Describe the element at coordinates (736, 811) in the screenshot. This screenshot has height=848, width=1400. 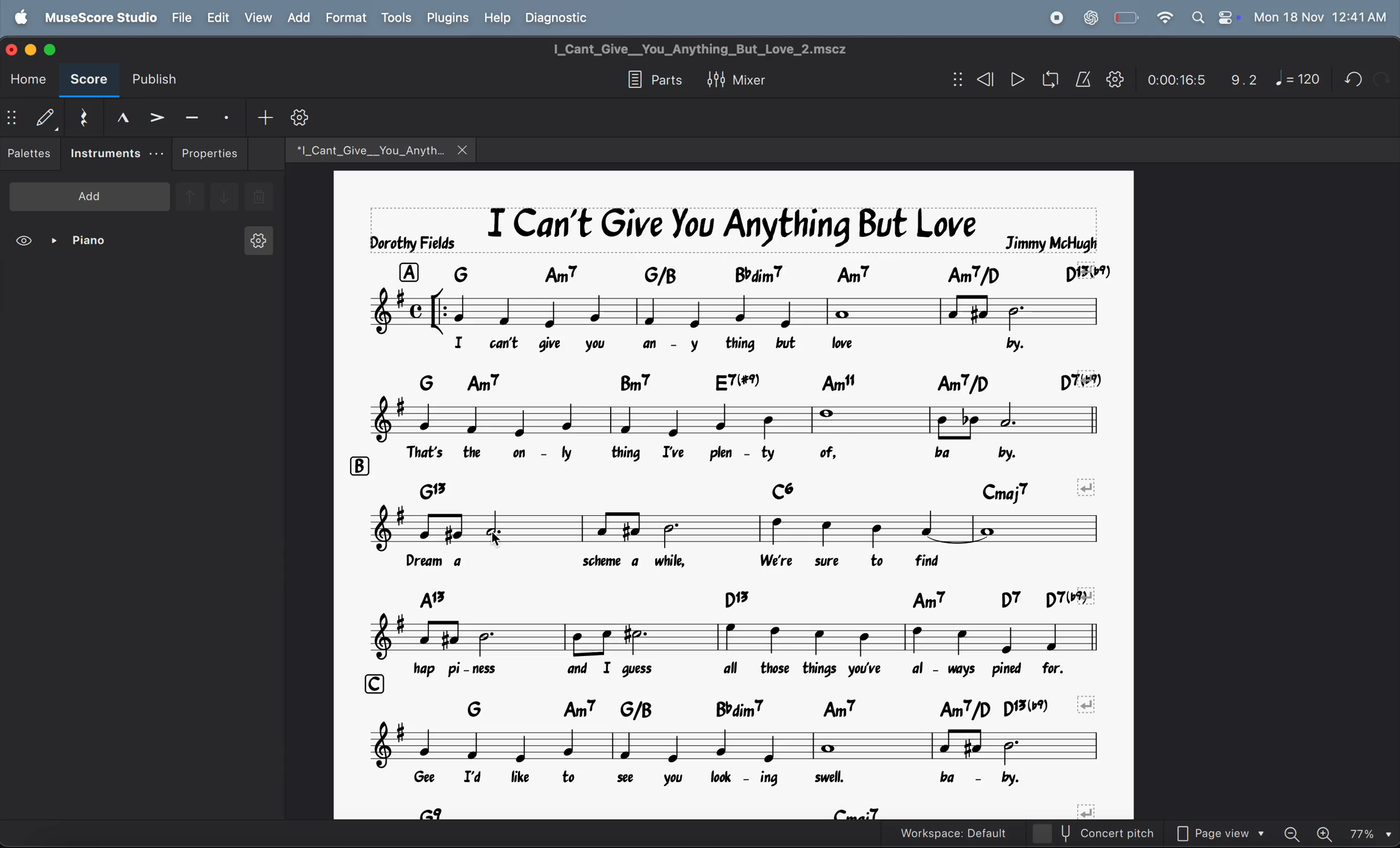
I see `chord symbols` at that location.